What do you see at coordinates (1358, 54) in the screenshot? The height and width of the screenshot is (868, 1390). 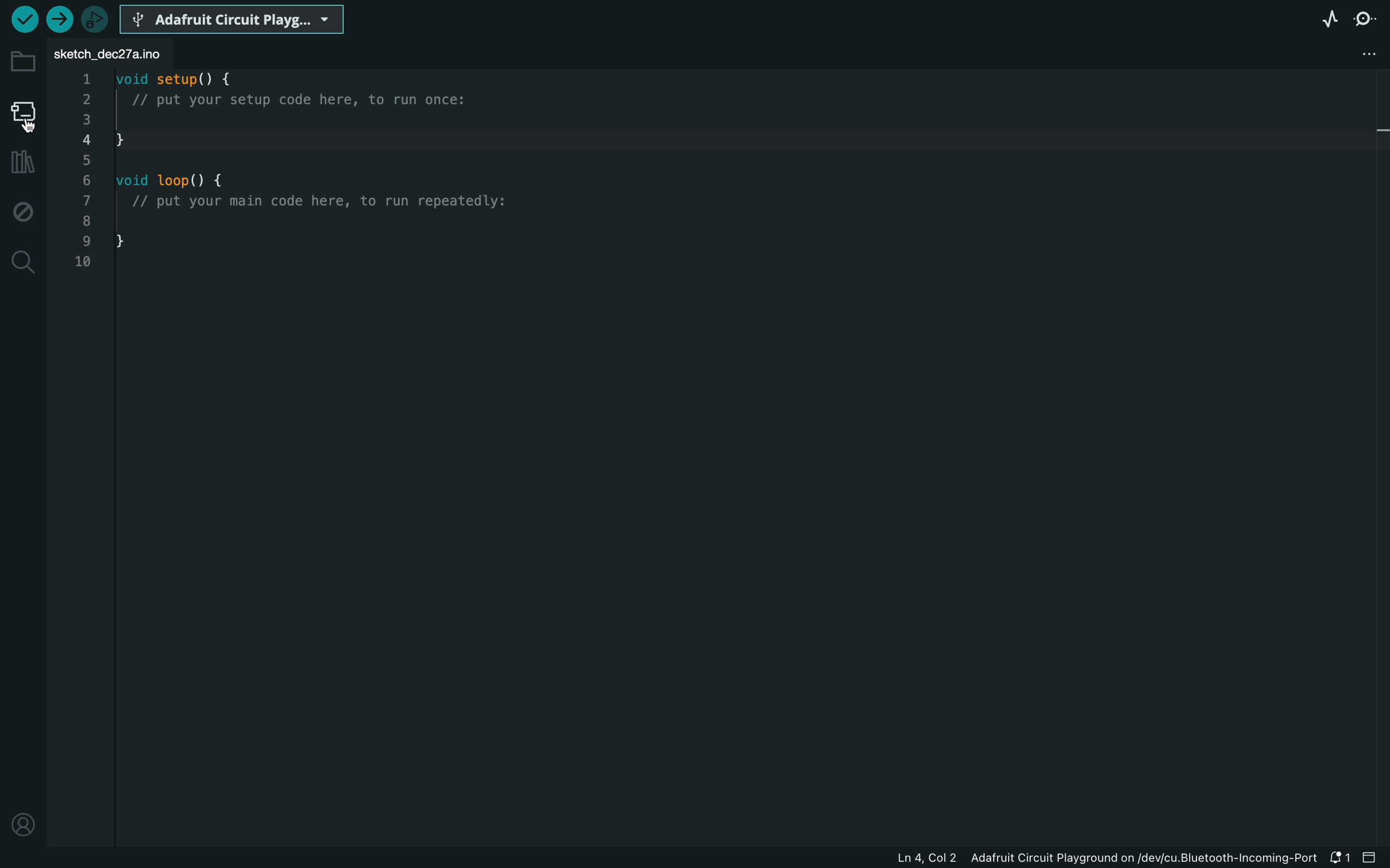 I see `file setting` at bounding box center [1358, 54].